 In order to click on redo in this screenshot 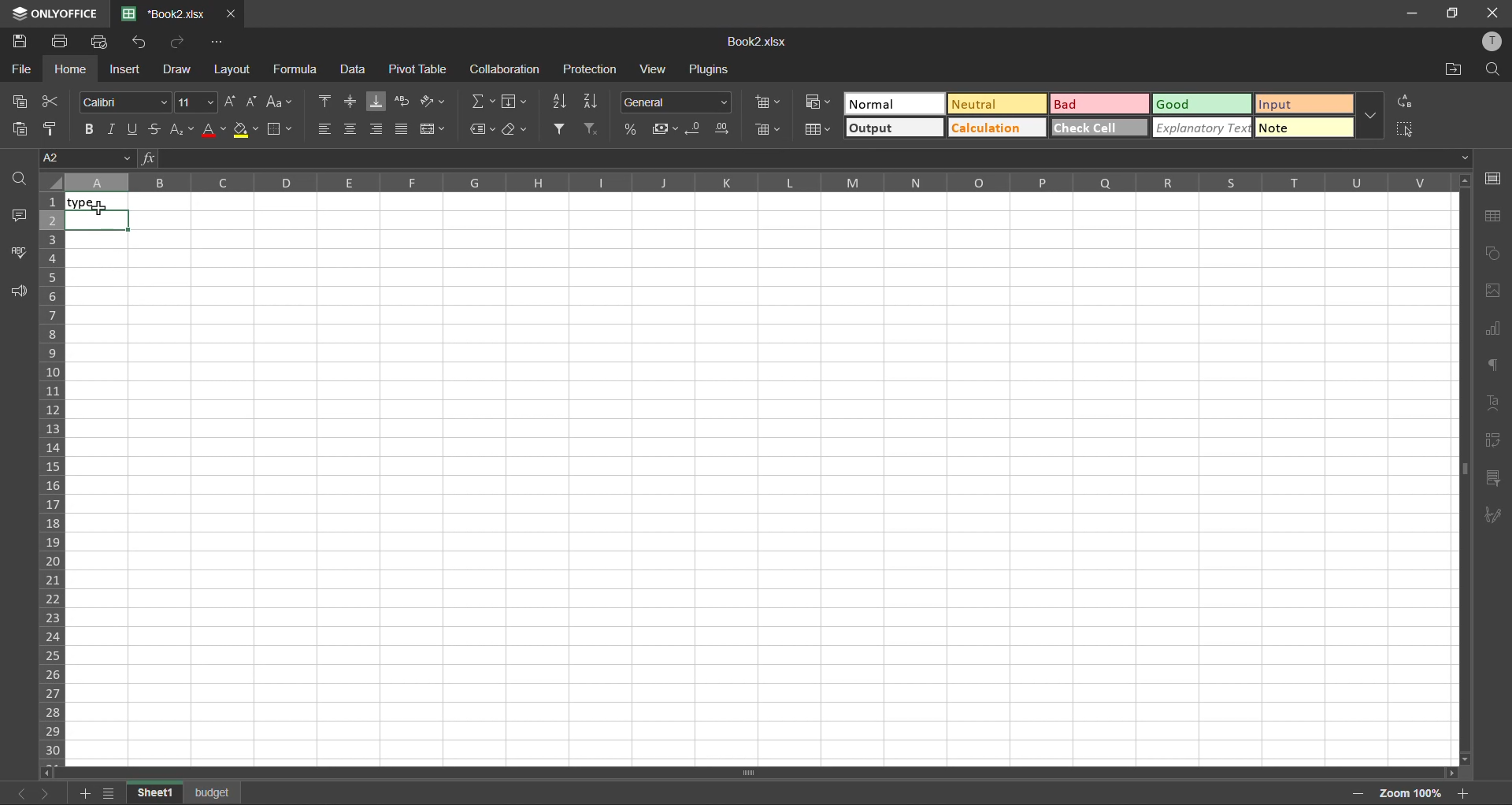, I will do `click(180, 43)`.